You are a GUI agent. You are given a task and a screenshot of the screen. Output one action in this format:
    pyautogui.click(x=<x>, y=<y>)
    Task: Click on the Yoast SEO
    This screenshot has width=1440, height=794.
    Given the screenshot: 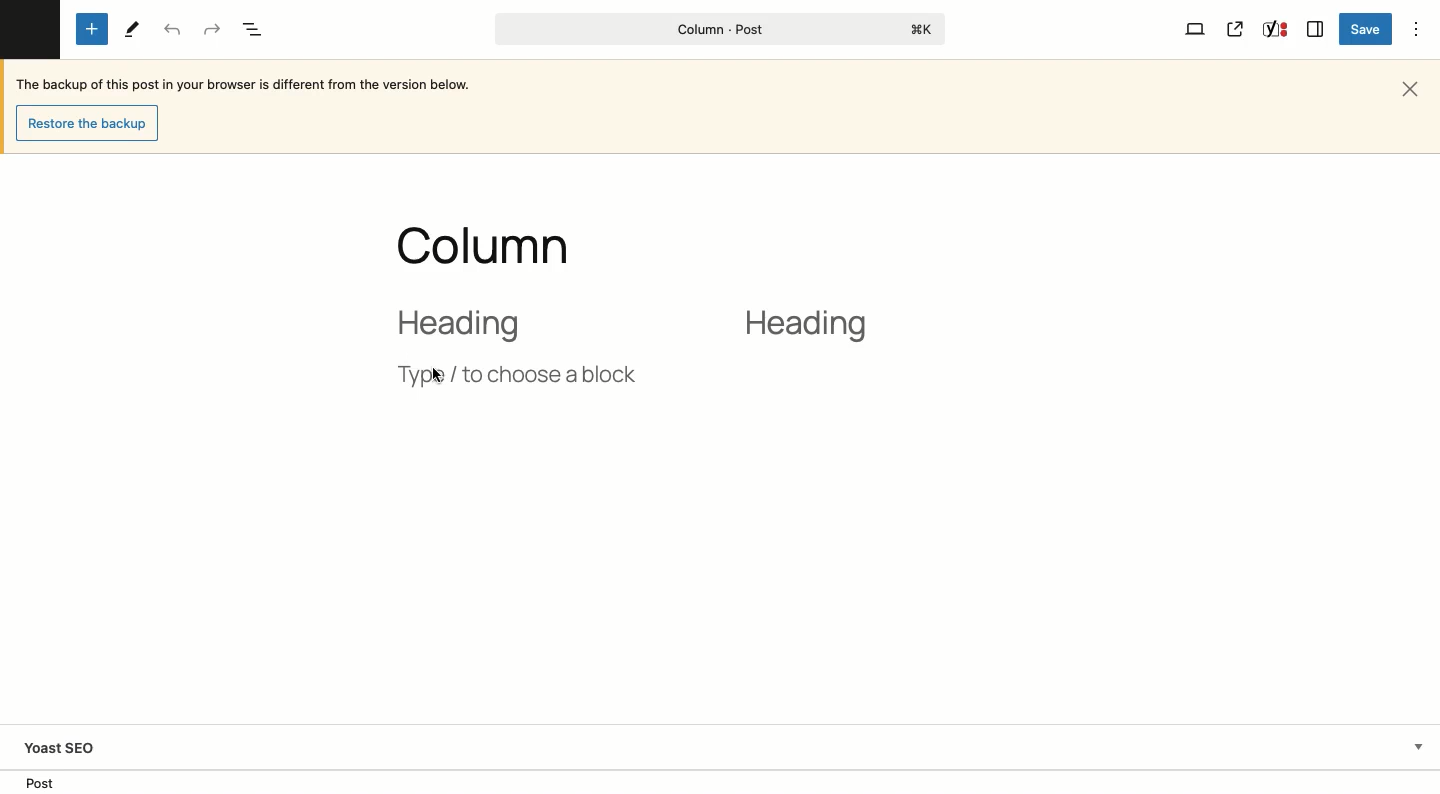 What is the action you would take?
    pyautogui.click(x=68, y=748)
    